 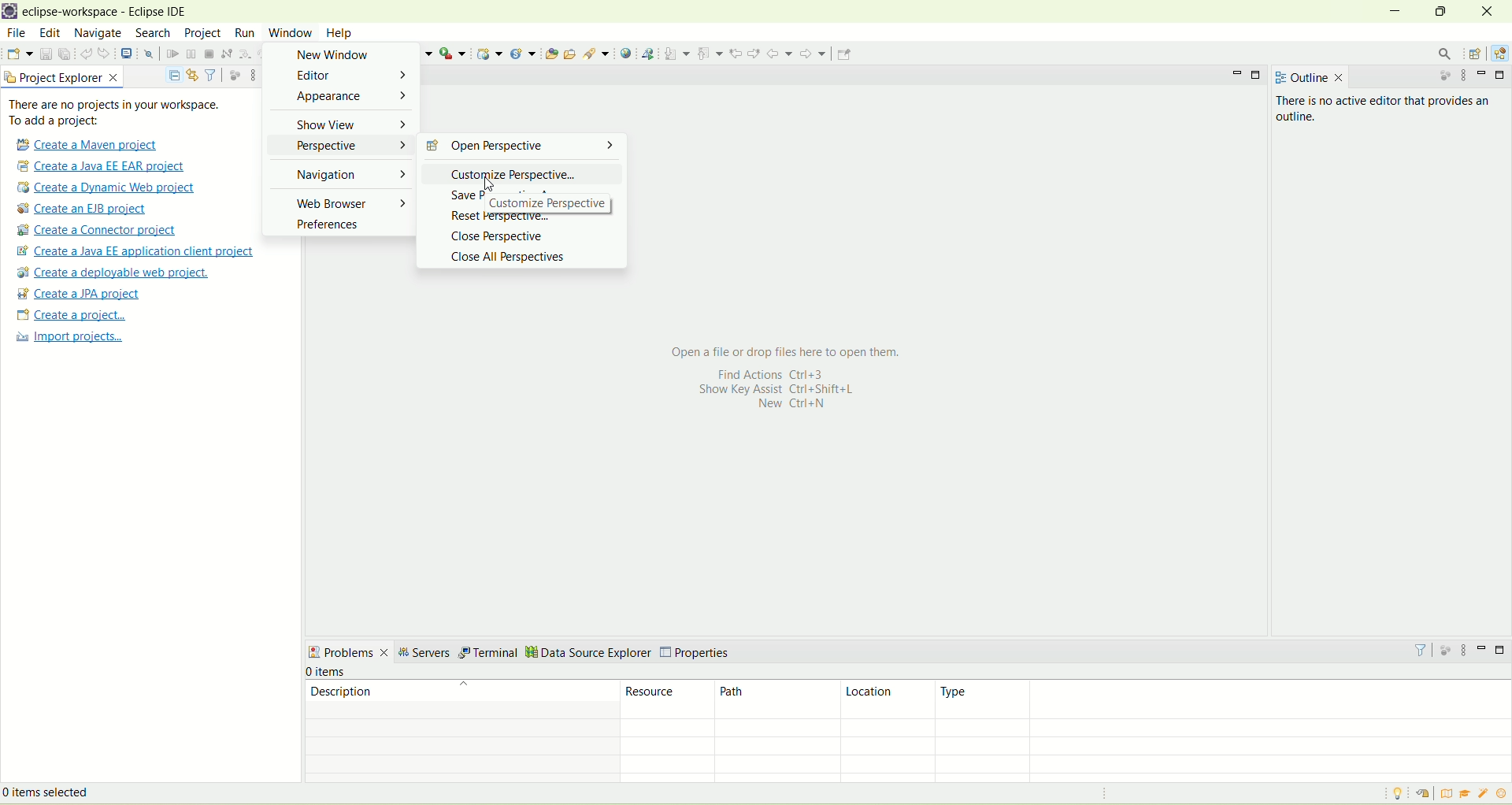 What do you see at coordinates (148, 55) in the screenshot?
I see `skip all breakpoints` at bounding box center [148, 55].